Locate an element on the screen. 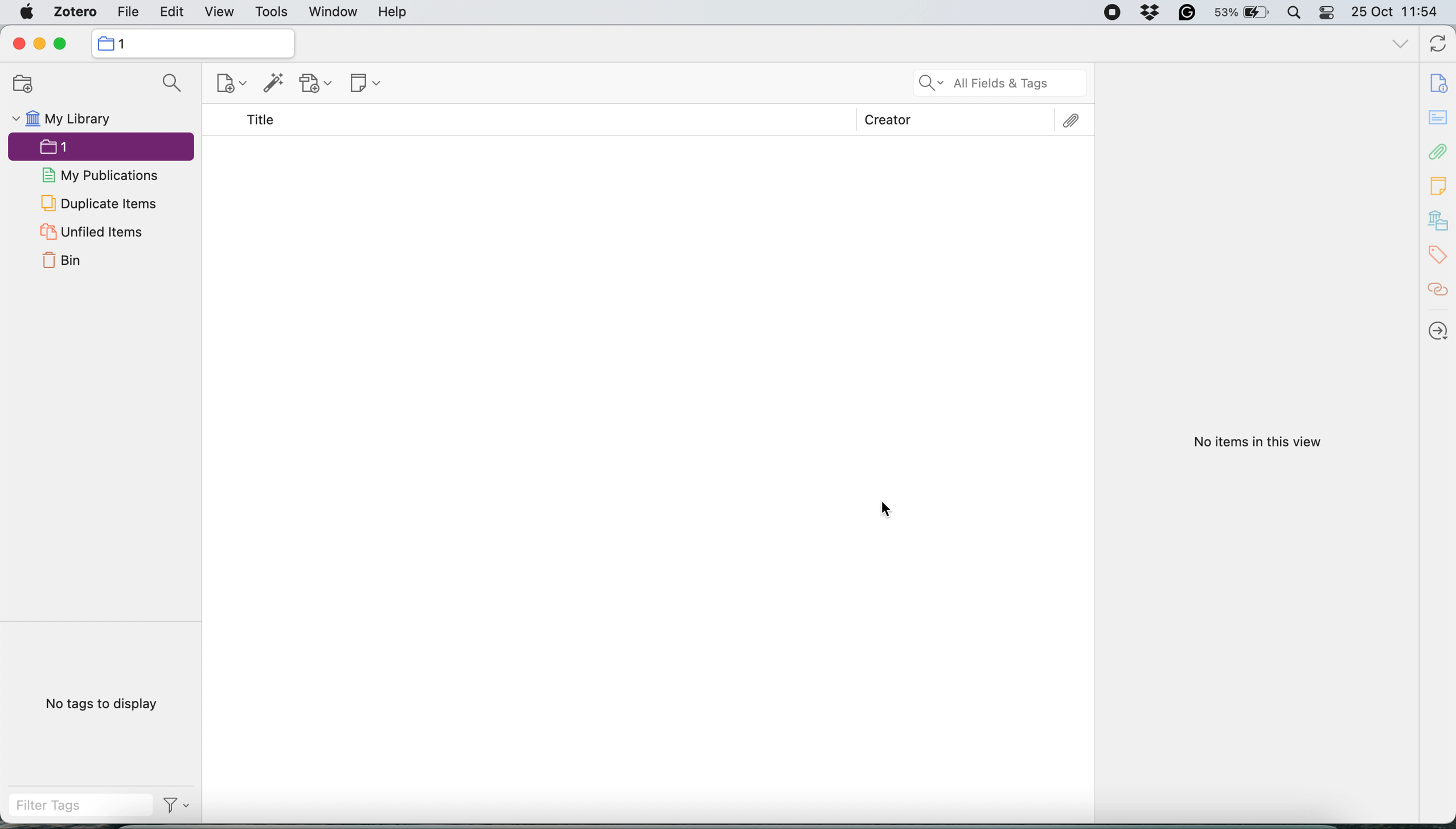 This screenshot has width=1456, height=829. 1 is located at coordinates (95, 147).